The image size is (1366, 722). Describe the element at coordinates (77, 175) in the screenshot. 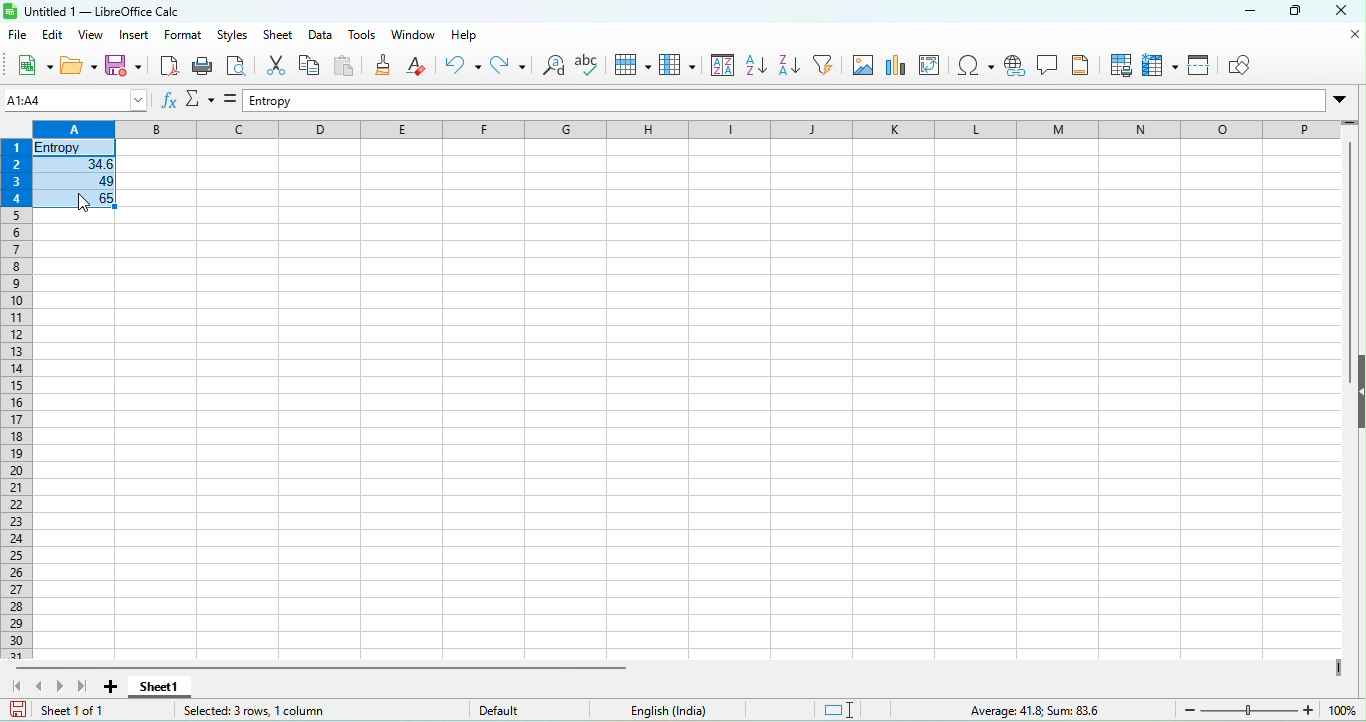

I see `selected cells` at that location.